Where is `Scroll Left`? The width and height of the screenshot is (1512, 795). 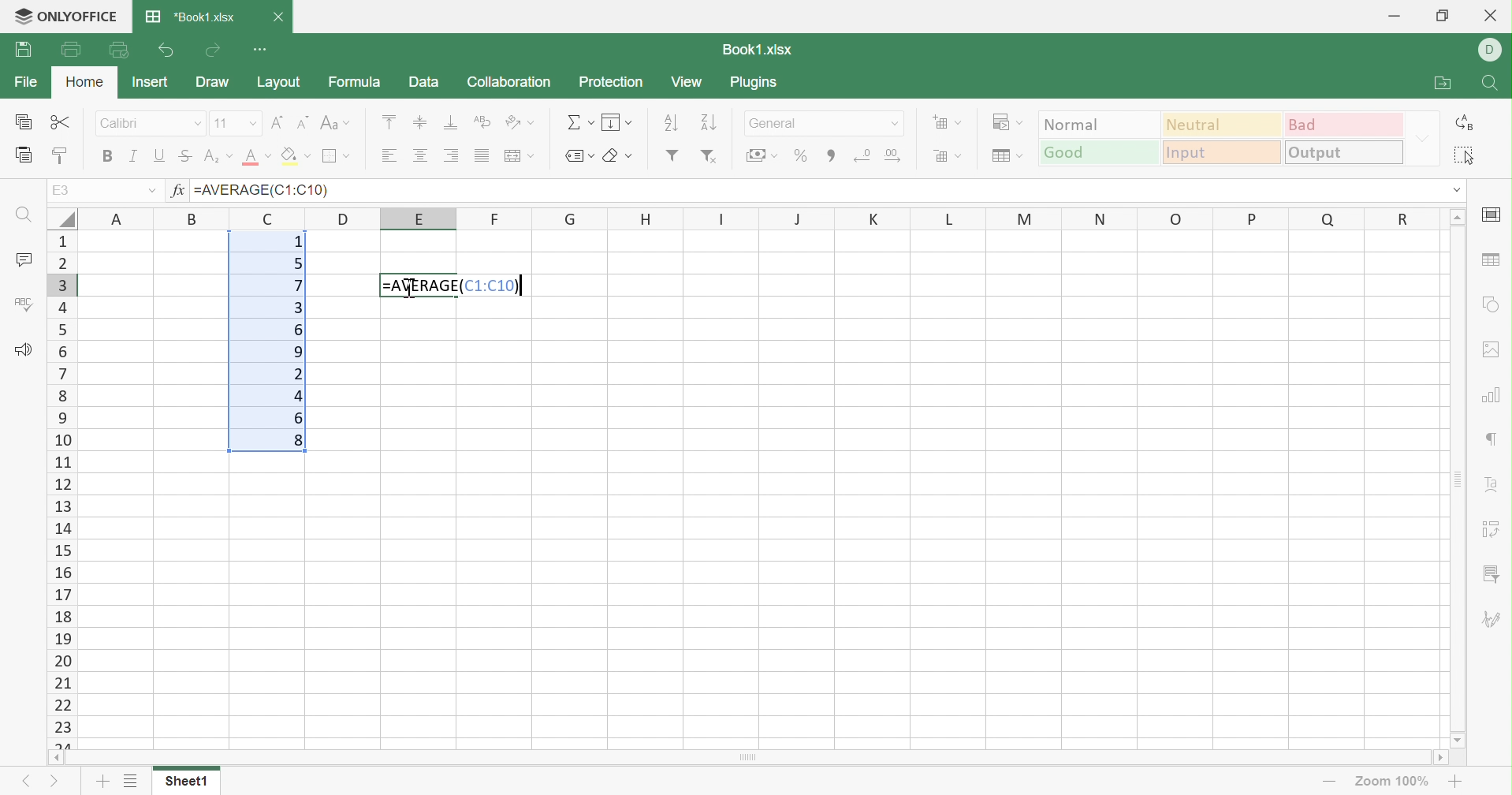 Scroll Left is located at coordinates (58, 756).